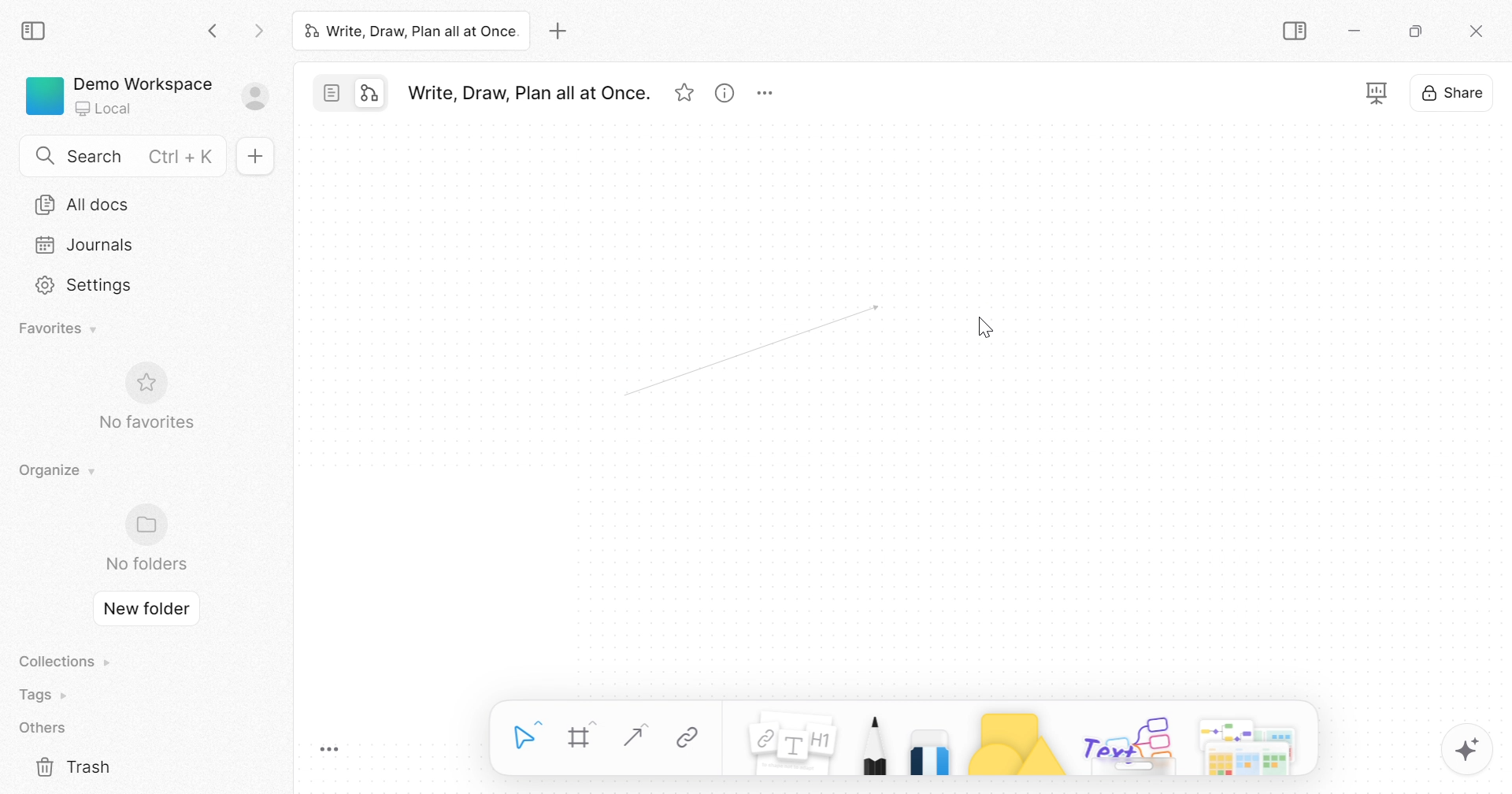 Image resolution: width=1512 pixels, height=794 pixels. Describe the element at coordinates (527, 736) in the screenshot. I see `Select` at that location.